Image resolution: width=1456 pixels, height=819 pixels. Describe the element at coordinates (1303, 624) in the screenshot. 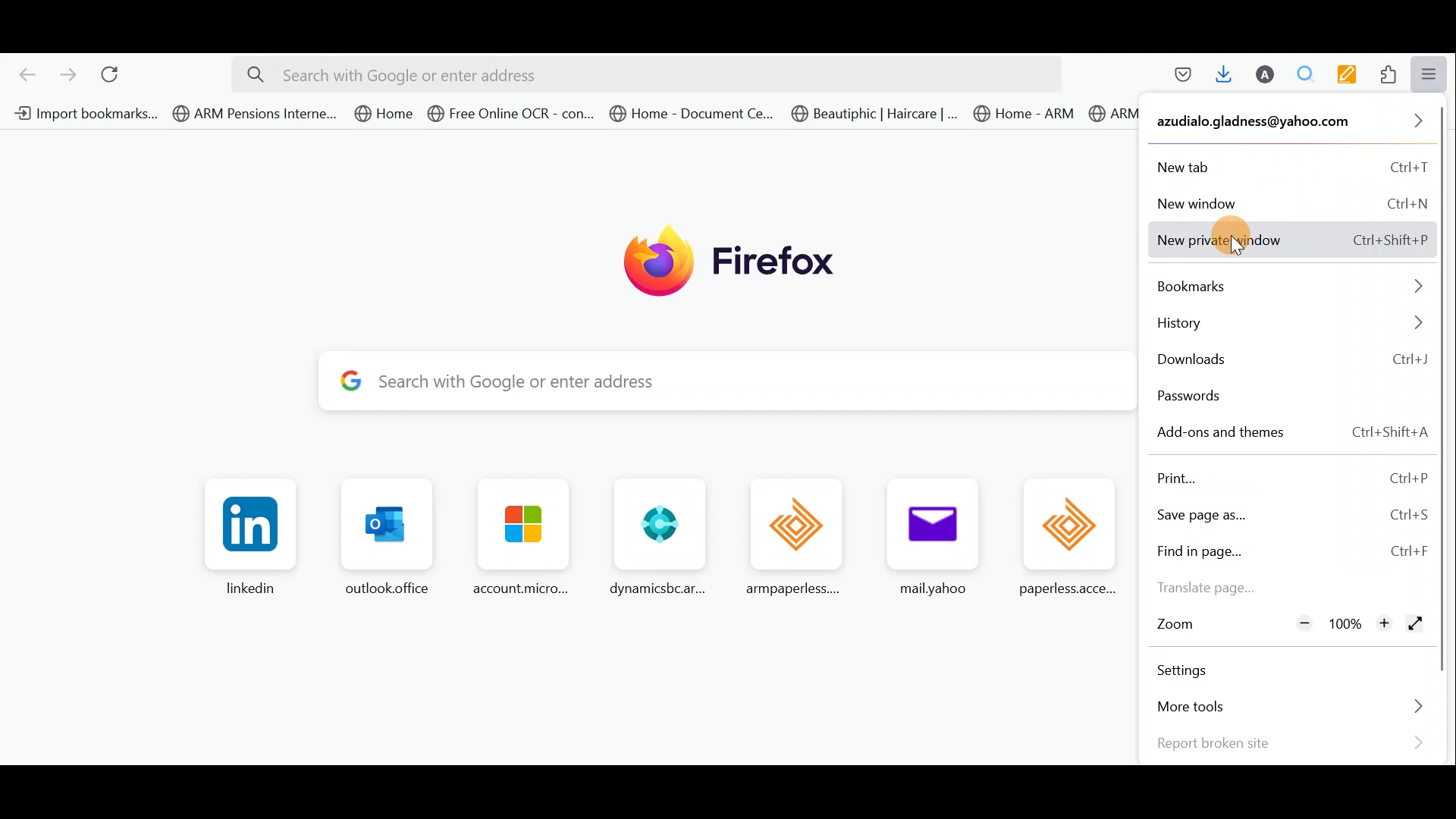

I see `Zoom out` at that location.